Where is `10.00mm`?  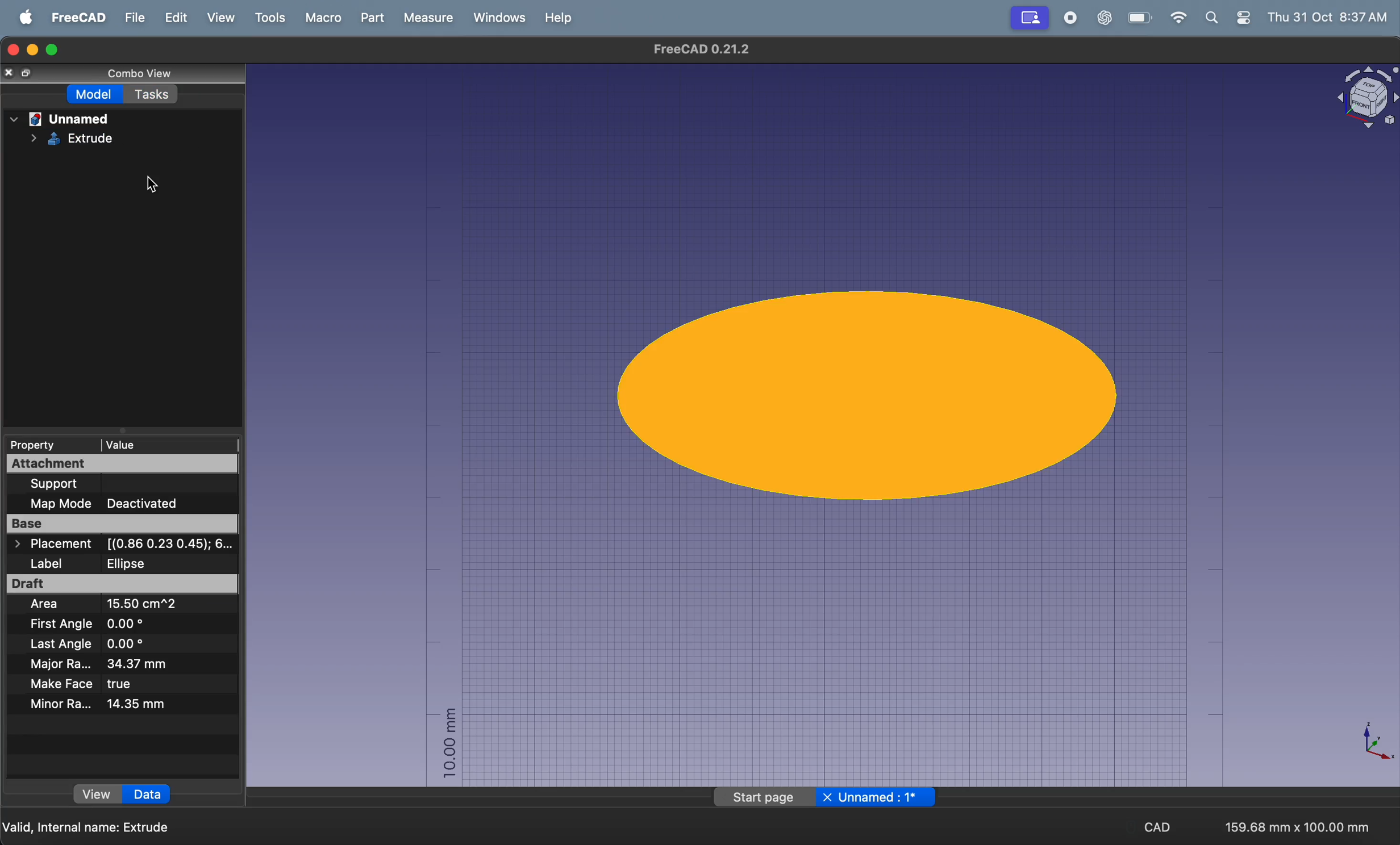
10.00mm is located at coordinates (449, 742).